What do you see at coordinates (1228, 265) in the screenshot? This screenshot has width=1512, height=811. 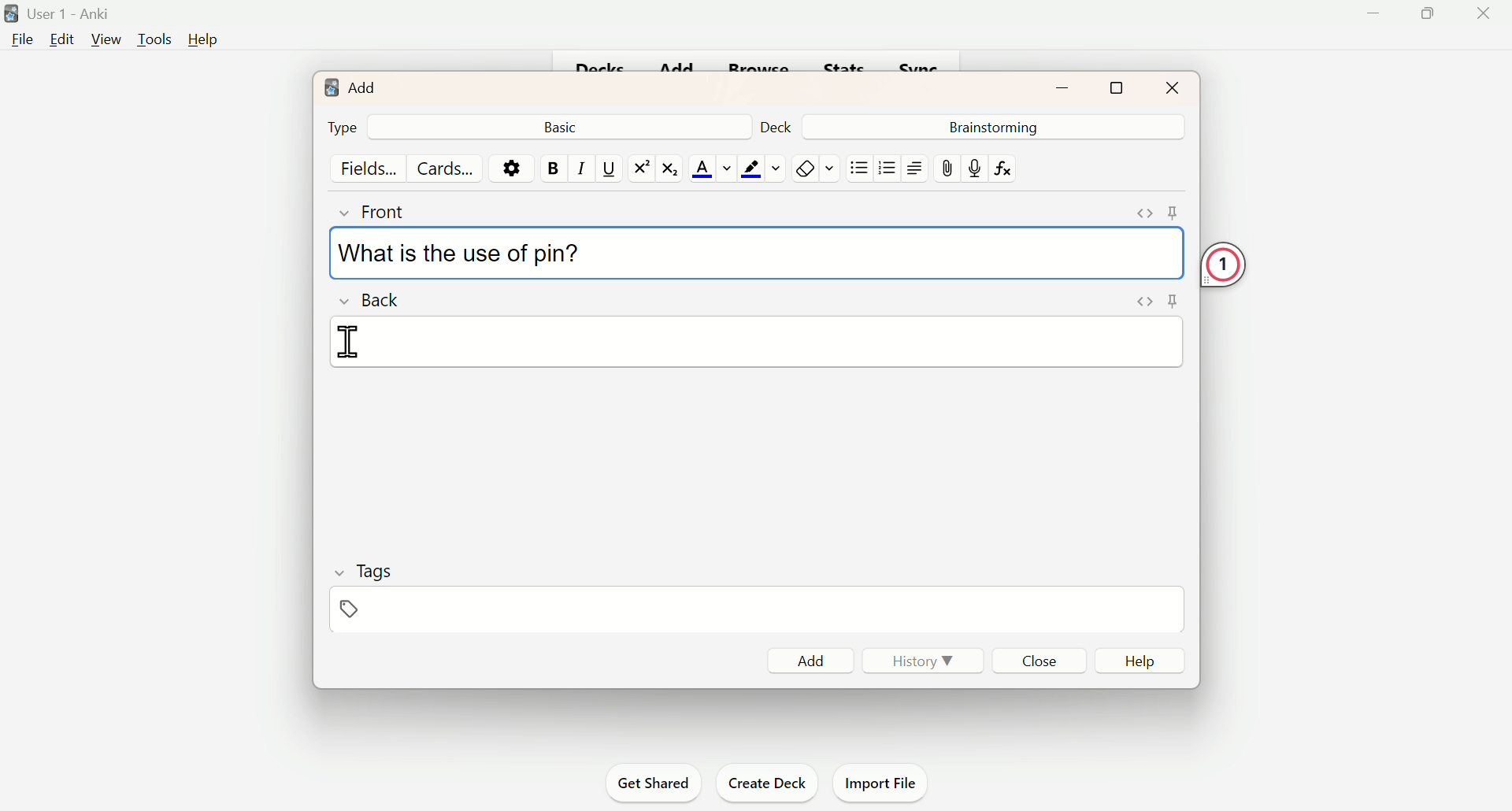 I see `1` at bounding box center [1228, 265].